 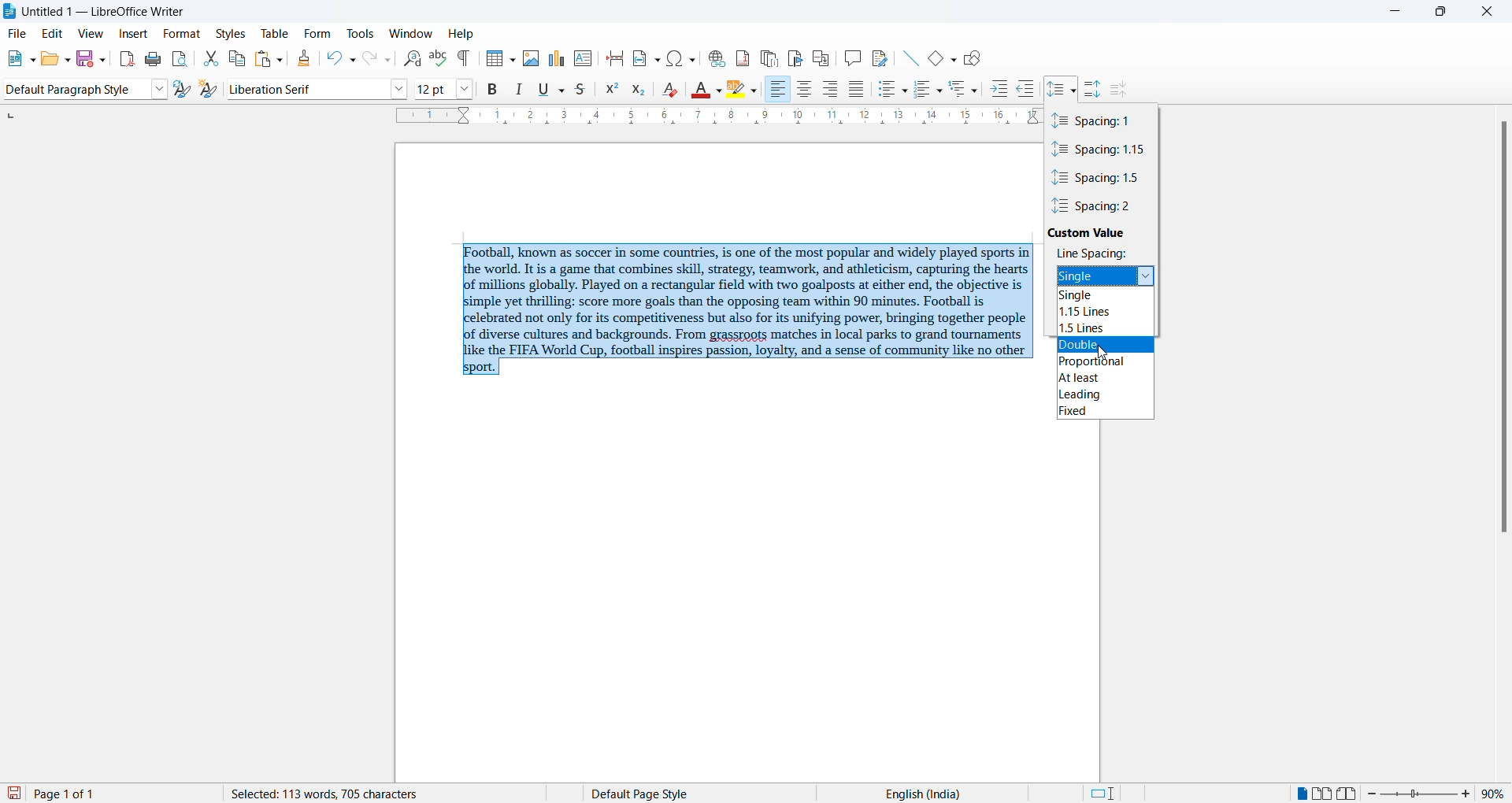 I want to click on strike through, so click(x=580, y=88).